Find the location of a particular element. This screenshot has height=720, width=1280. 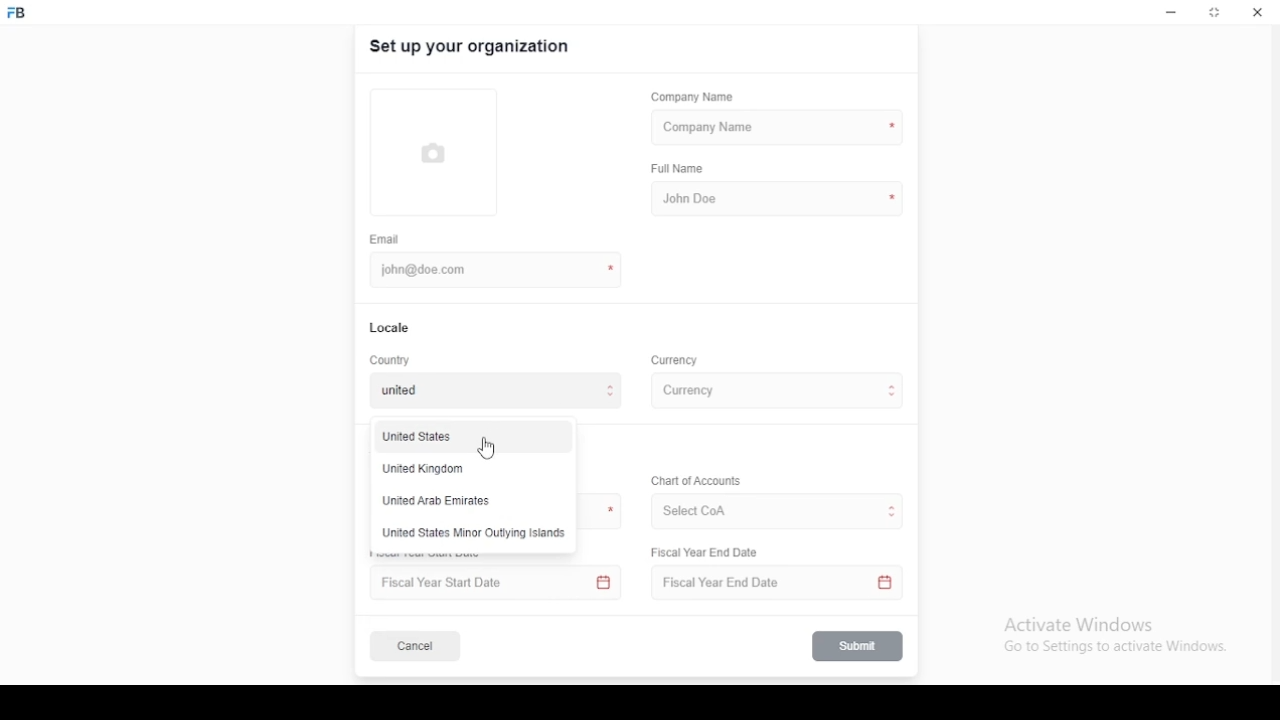

Fiscal Year End Date is located at coordinates (706, 552).